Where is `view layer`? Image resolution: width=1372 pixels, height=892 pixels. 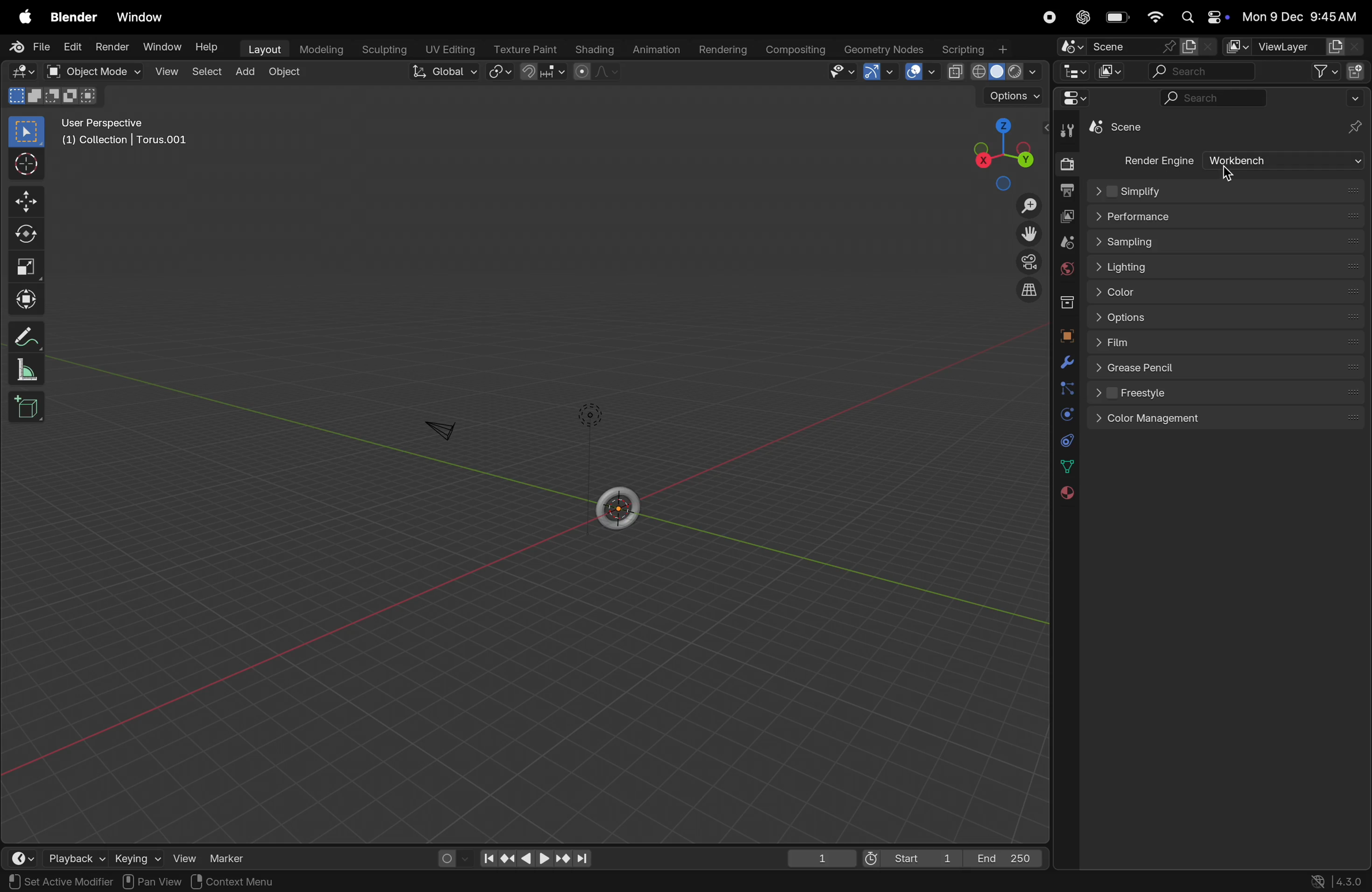
view layer is located at coordinates (1067, 216).